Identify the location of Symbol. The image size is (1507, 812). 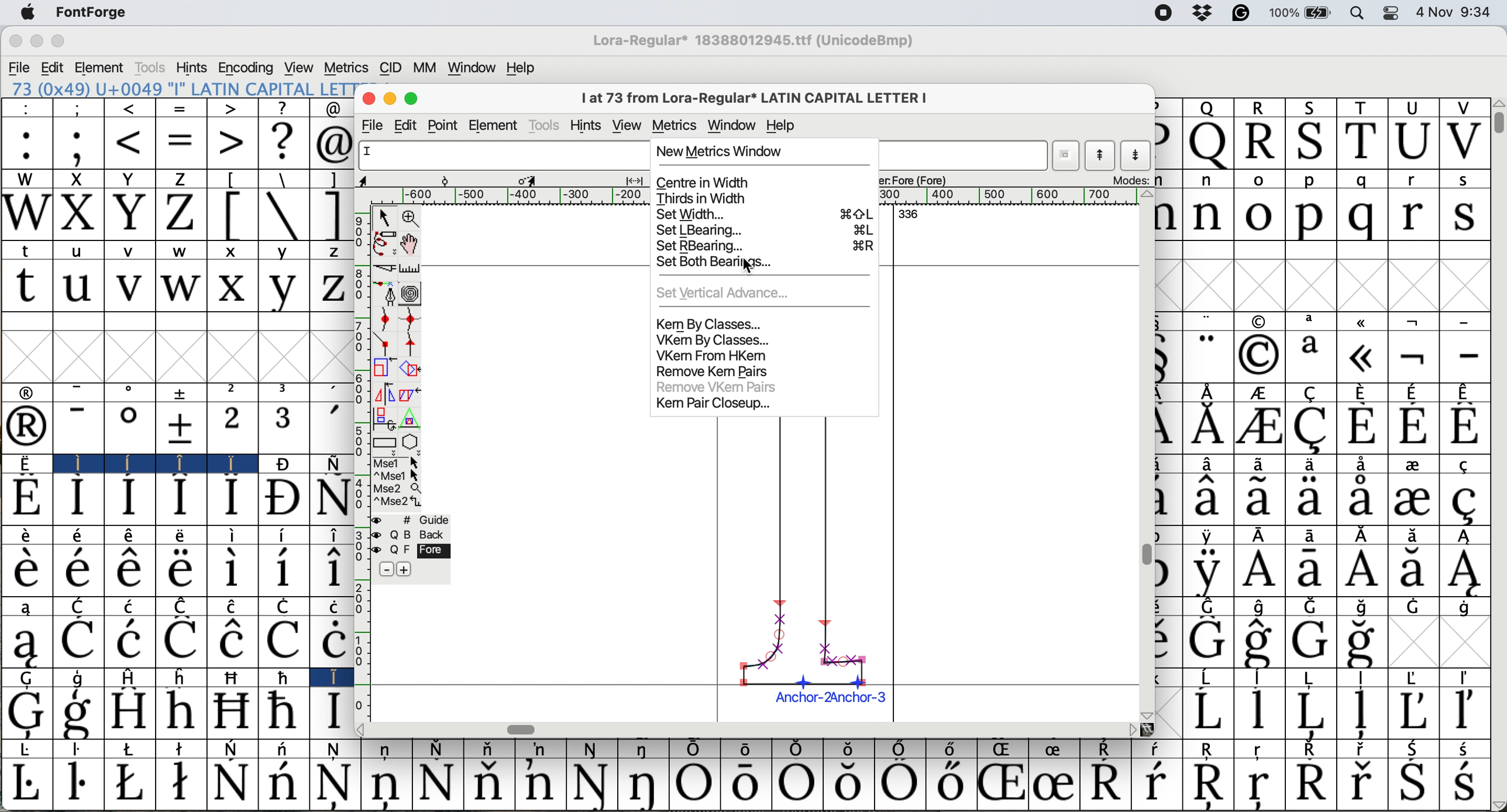
(1258, 570).